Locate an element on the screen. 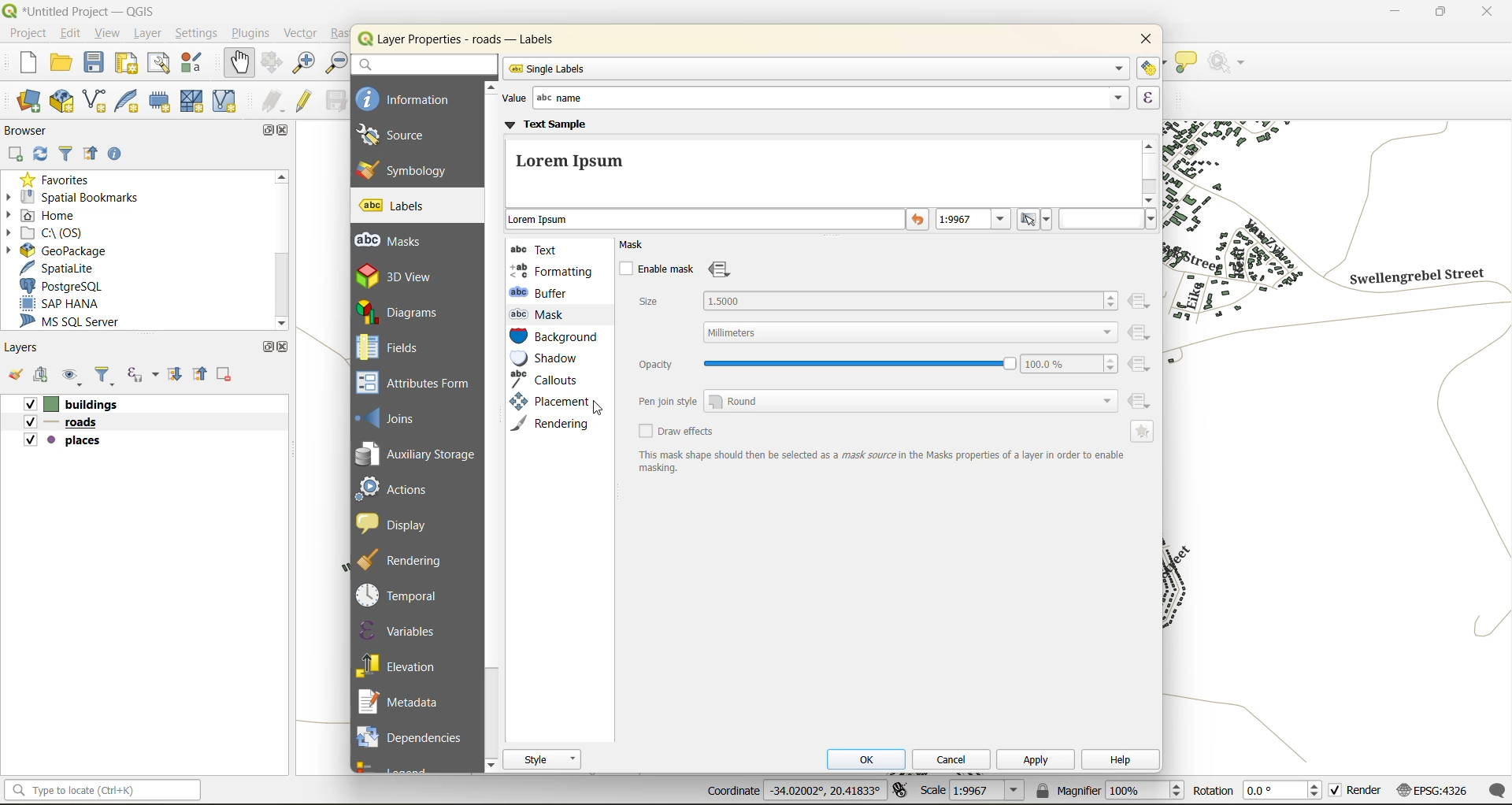  style manager is located at coordinates (198, 65).